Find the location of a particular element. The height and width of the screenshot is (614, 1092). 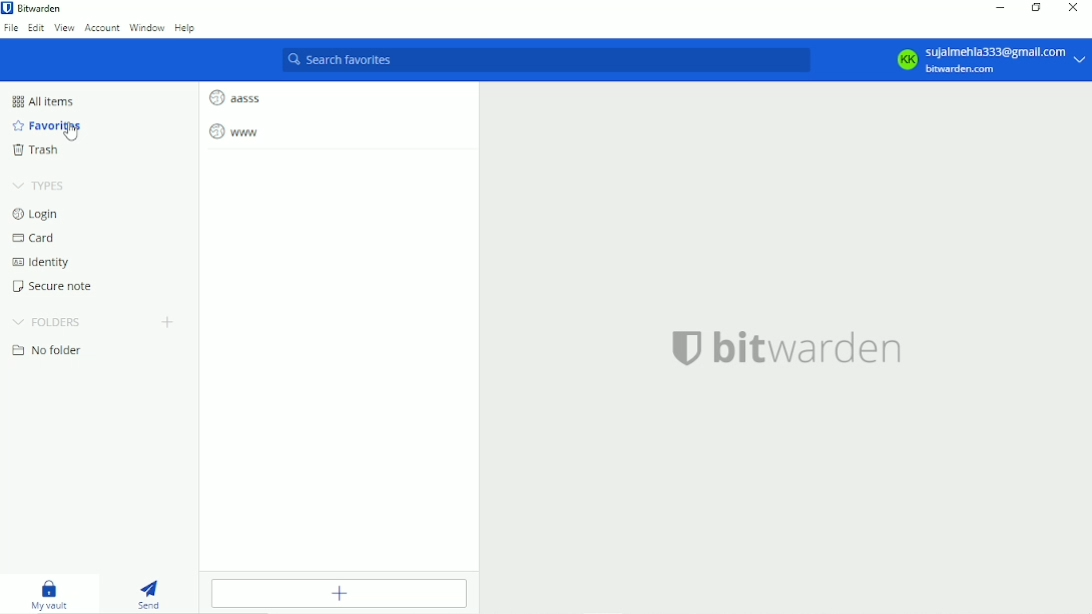

www is located at coordinates (236, 133).